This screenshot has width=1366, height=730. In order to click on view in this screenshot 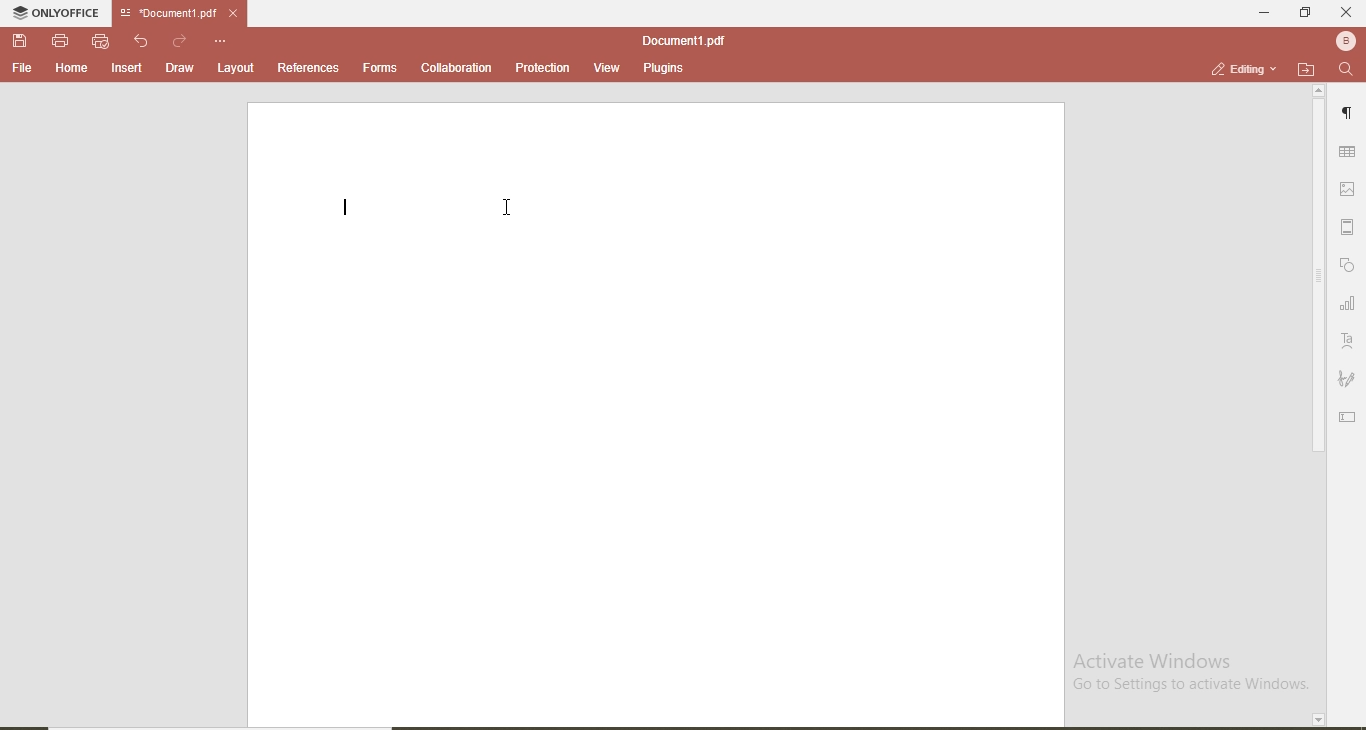, I will do `click(608, 67)`.